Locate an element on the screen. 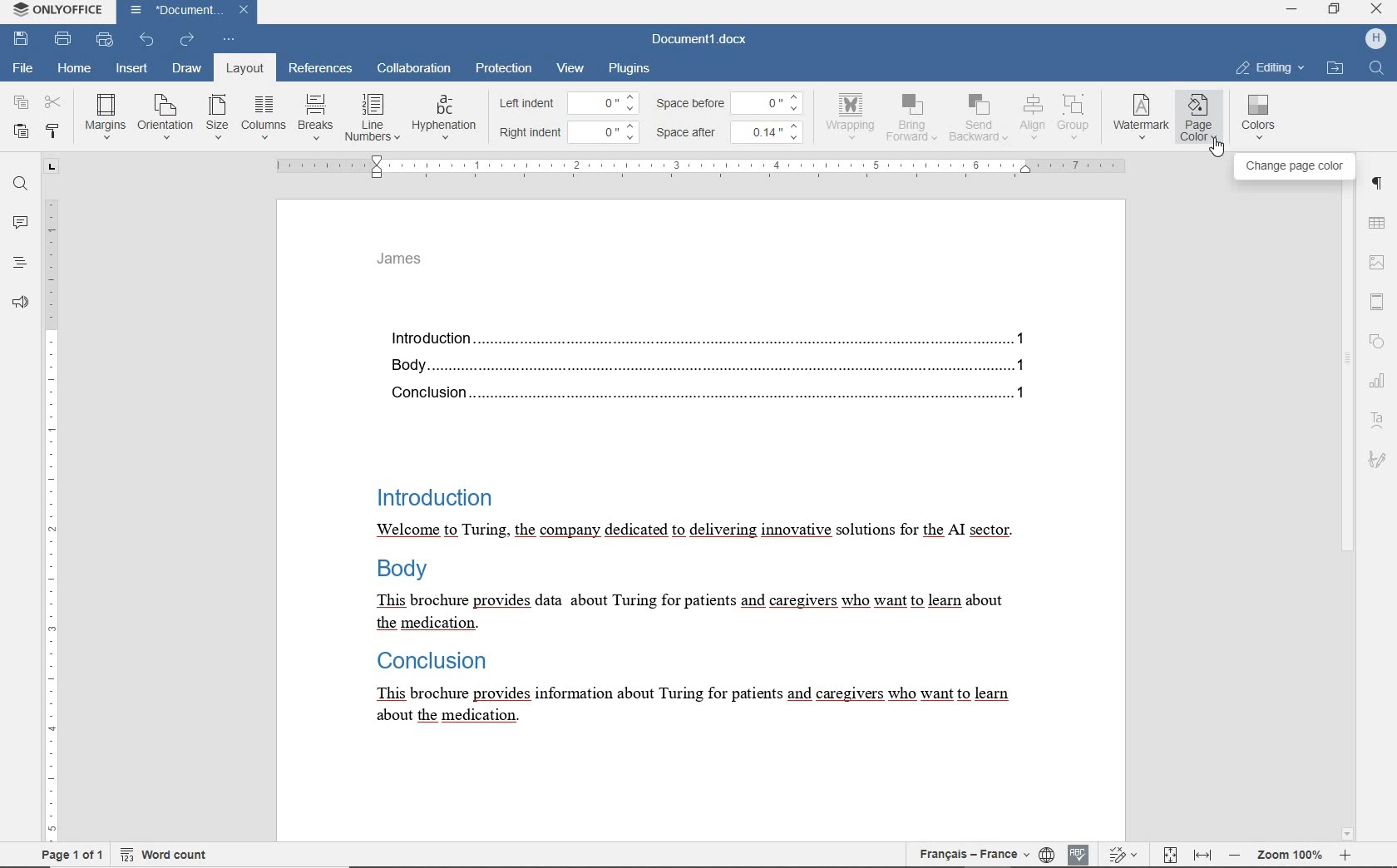 The width and height of the screenshot is (1397, 868). ruler is located at coordinates (704, 167).